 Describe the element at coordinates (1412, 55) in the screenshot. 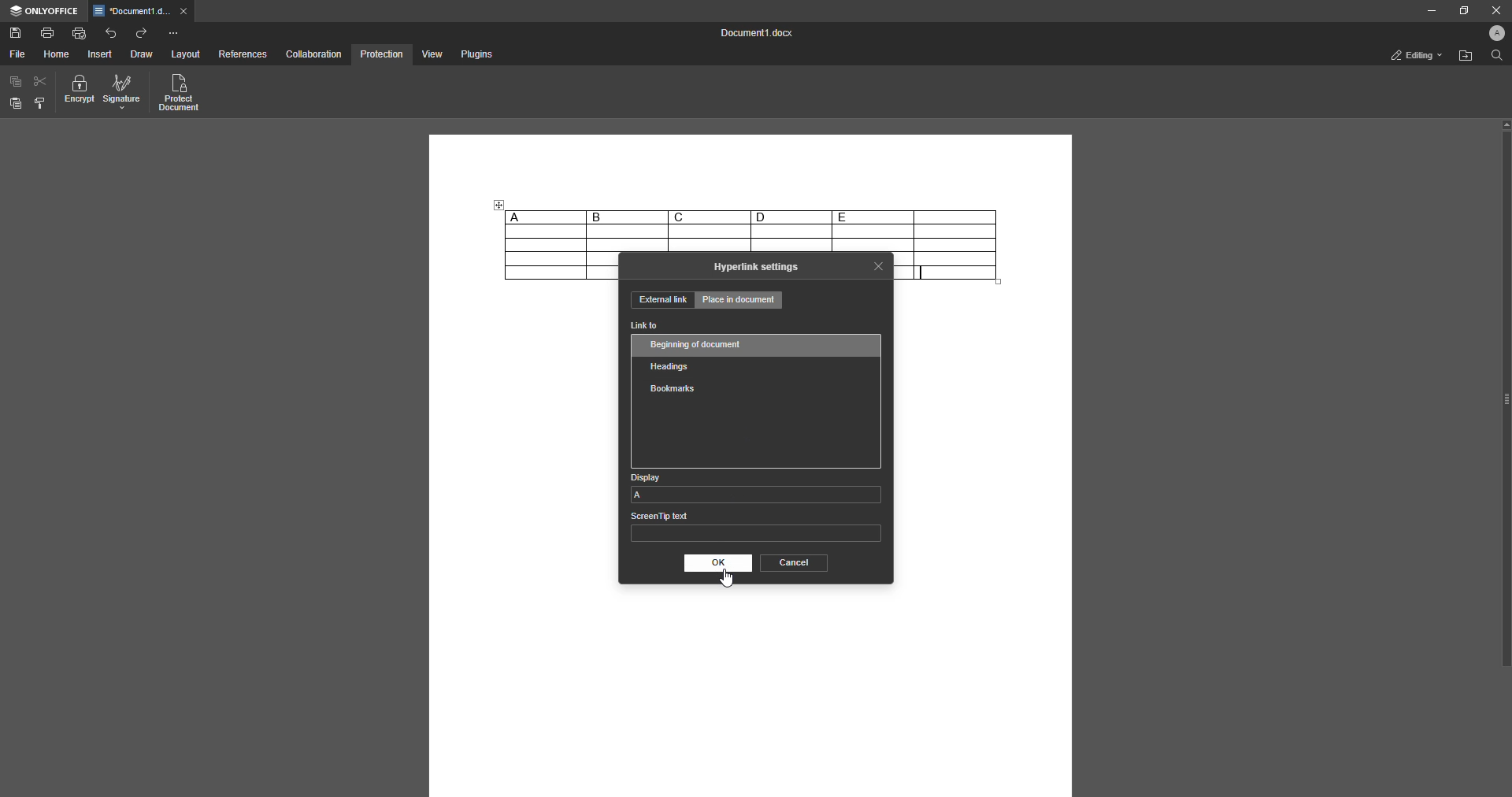

I see `Editing` at that location.